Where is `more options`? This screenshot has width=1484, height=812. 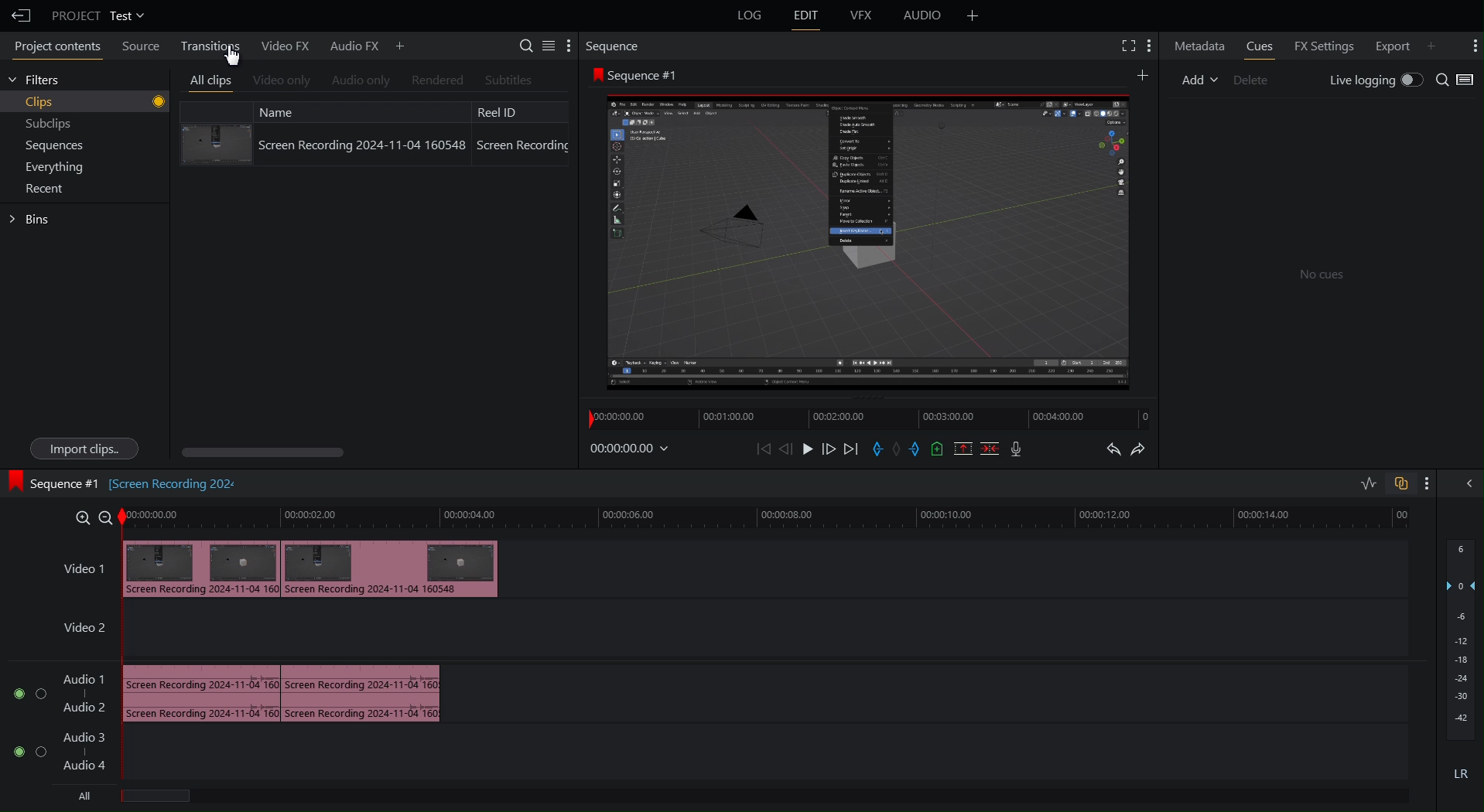 more options is located at coordinates (1428, 483).